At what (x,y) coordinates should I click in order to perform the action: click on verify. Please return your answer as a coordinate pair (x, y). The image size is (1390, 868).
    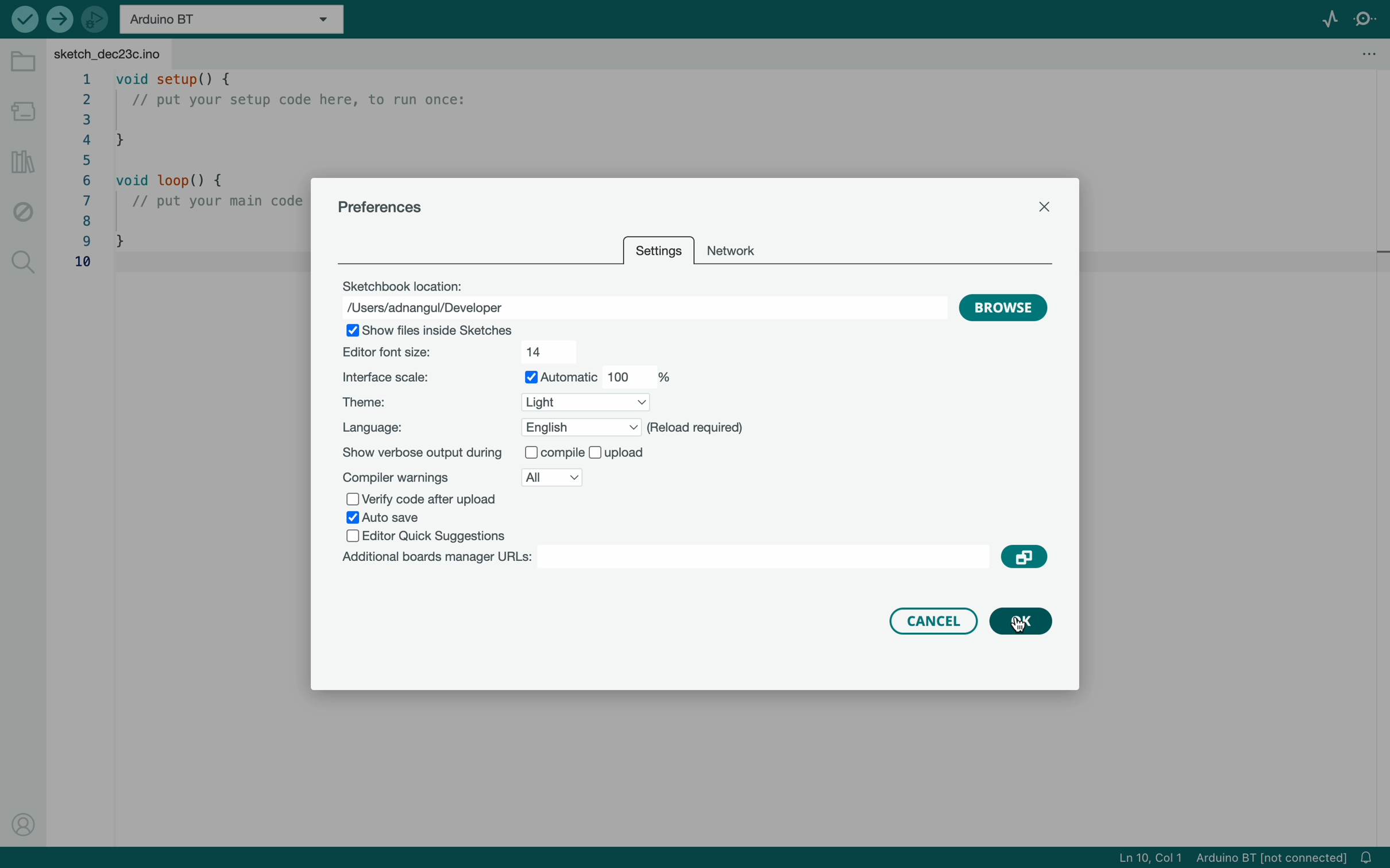
    Looking at the image, I should click on (22, 20).